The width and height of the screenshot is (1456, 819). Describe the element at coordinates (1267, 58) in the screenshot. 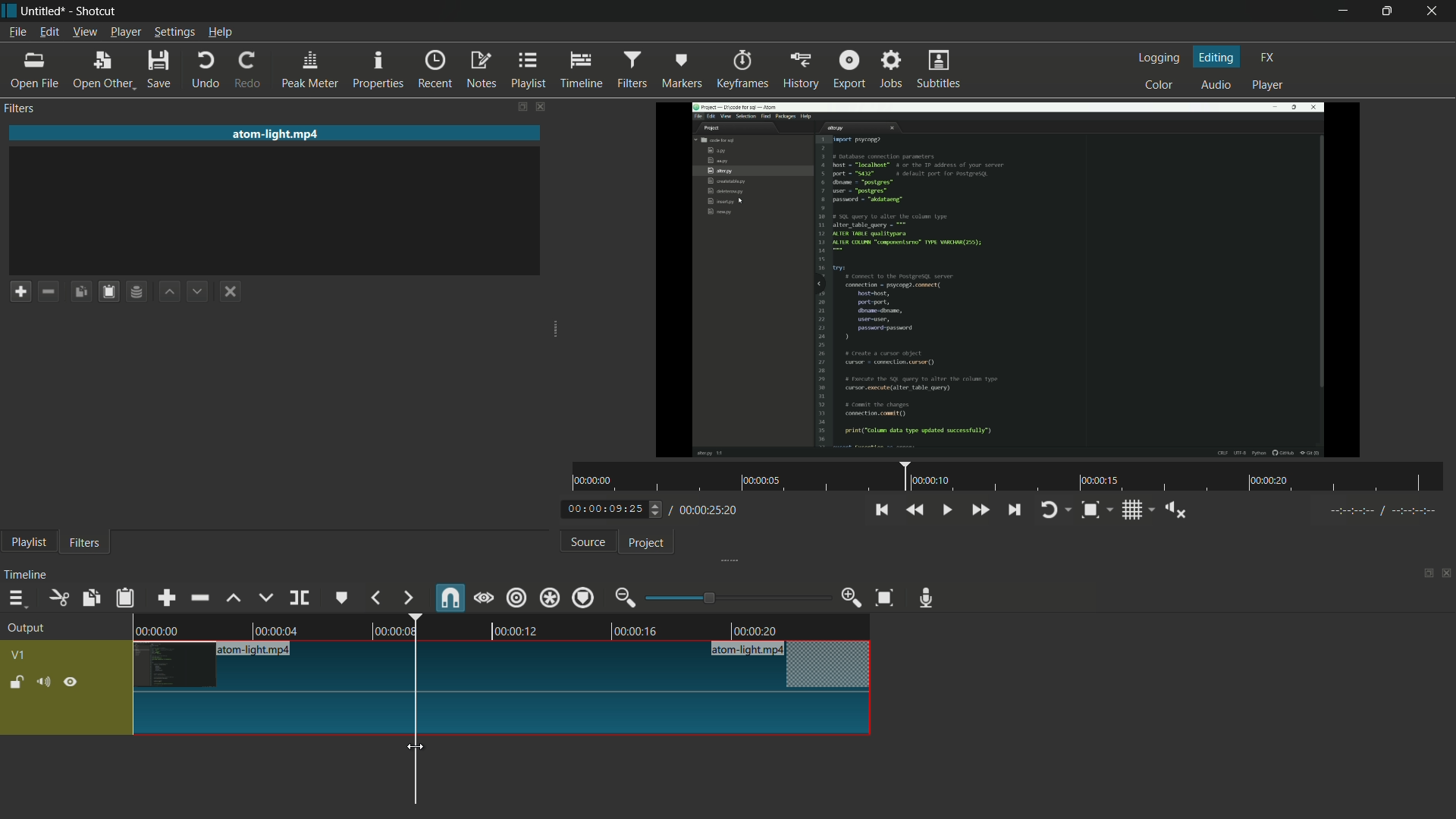

I see `fx` at that location.